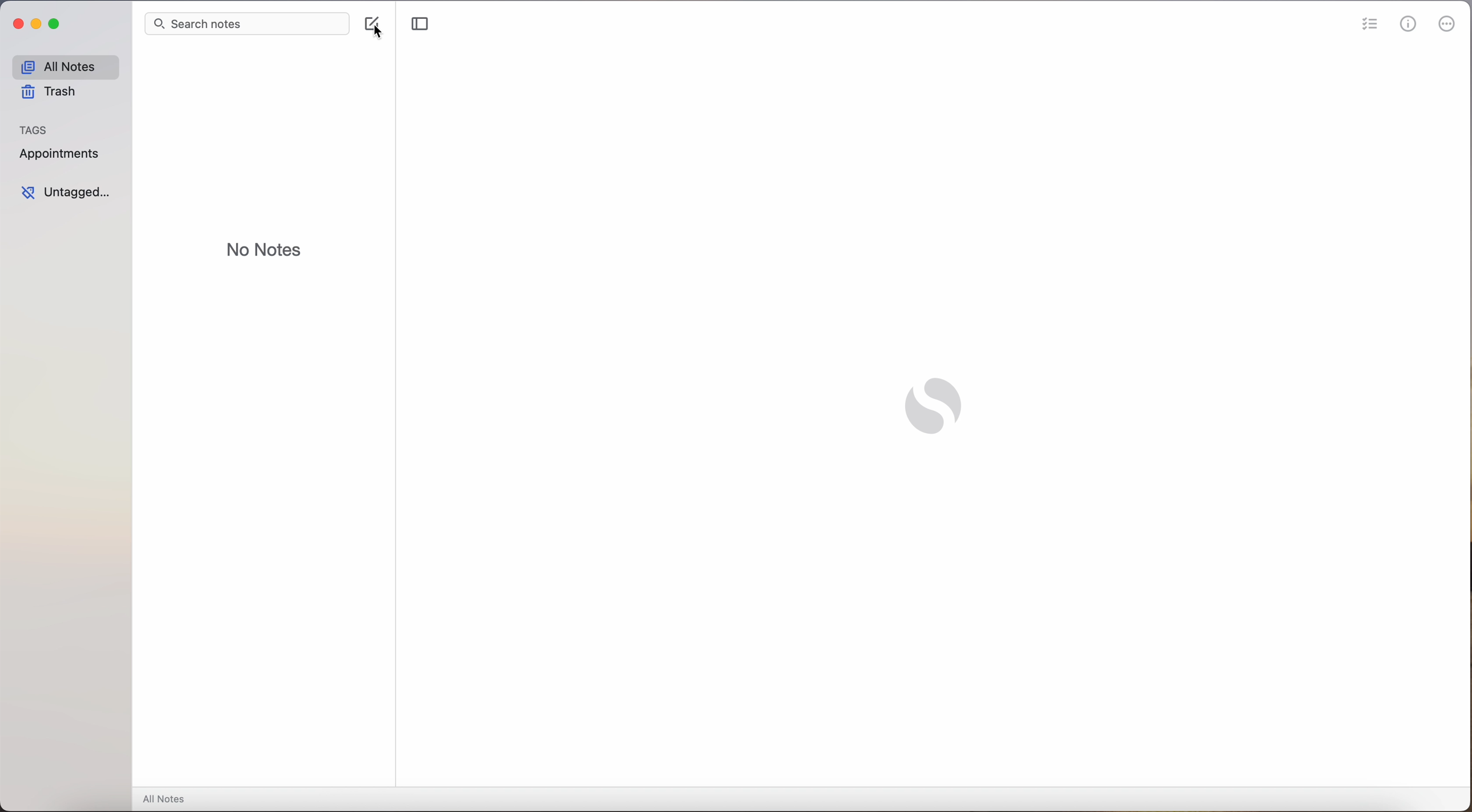 The width and height of the screenshot is (1472, 812). What do you see at coordinates (37, 129) in the screenshot?
I see `tags` at bounding box center [37, 129].